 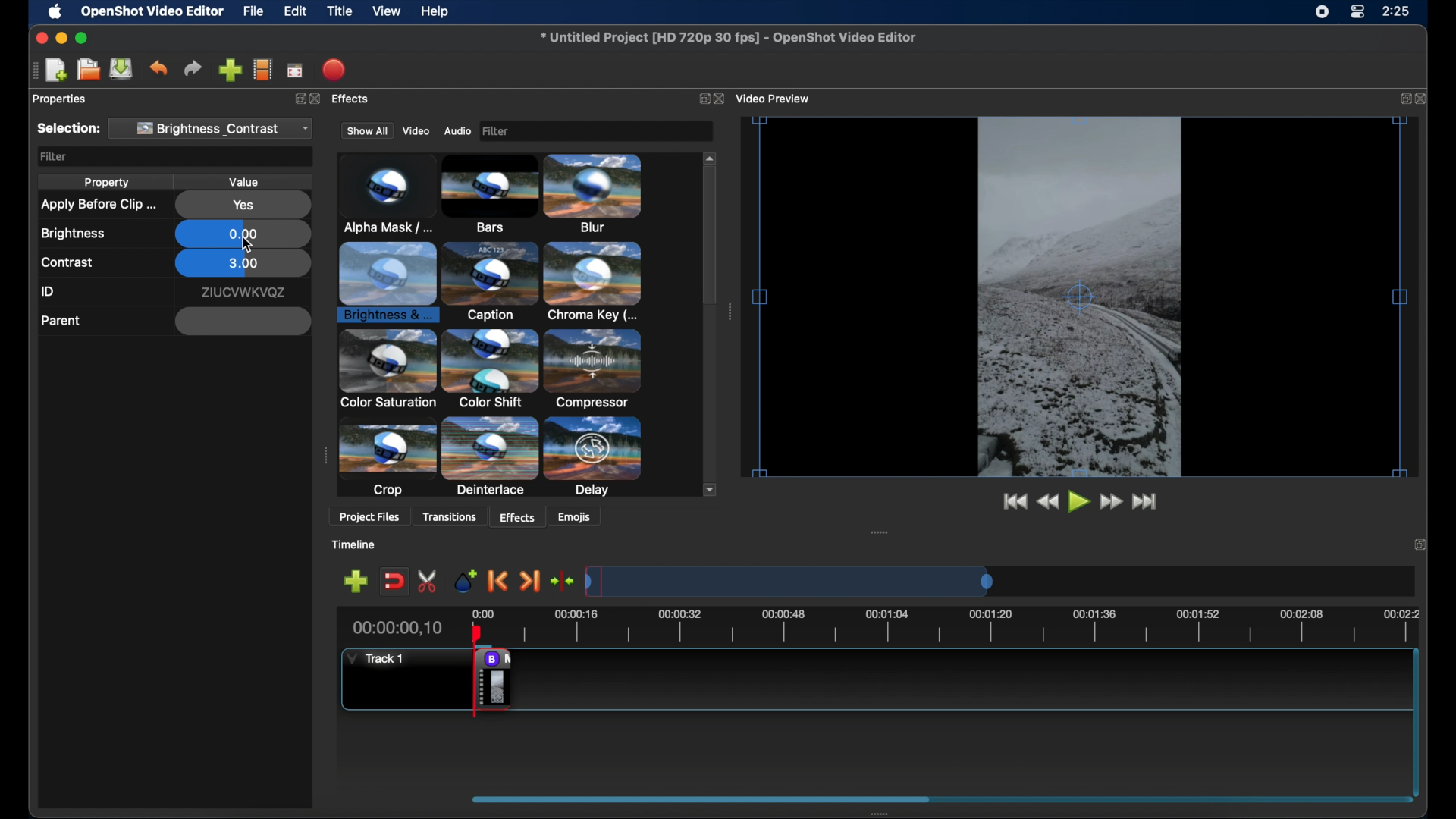 I want to click on echo, so click(x=388, y=464).